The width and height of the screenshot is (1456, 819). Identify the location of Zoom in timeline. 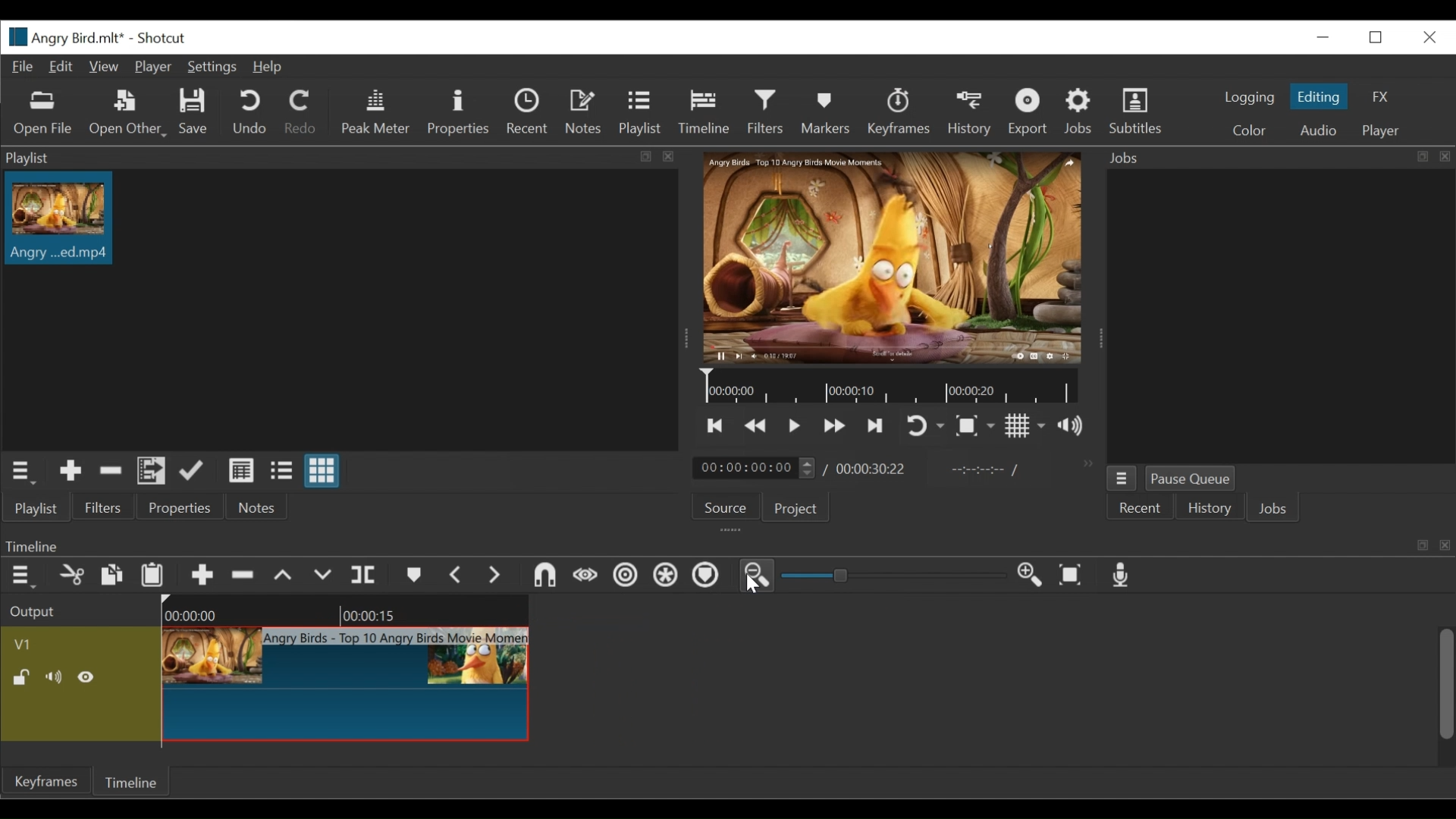
(1032, 576).